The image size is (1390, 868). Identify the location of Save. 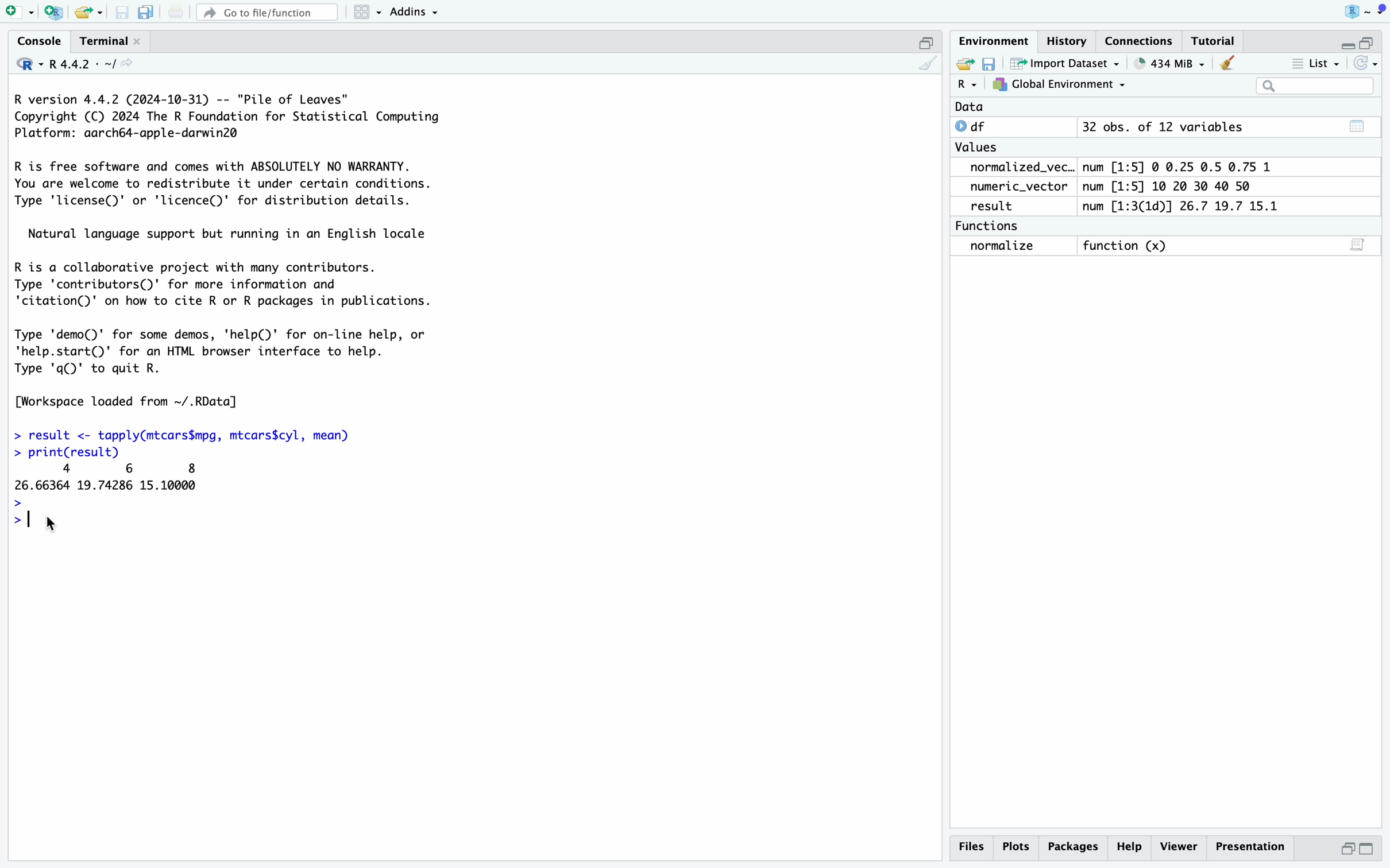
(123, 12).